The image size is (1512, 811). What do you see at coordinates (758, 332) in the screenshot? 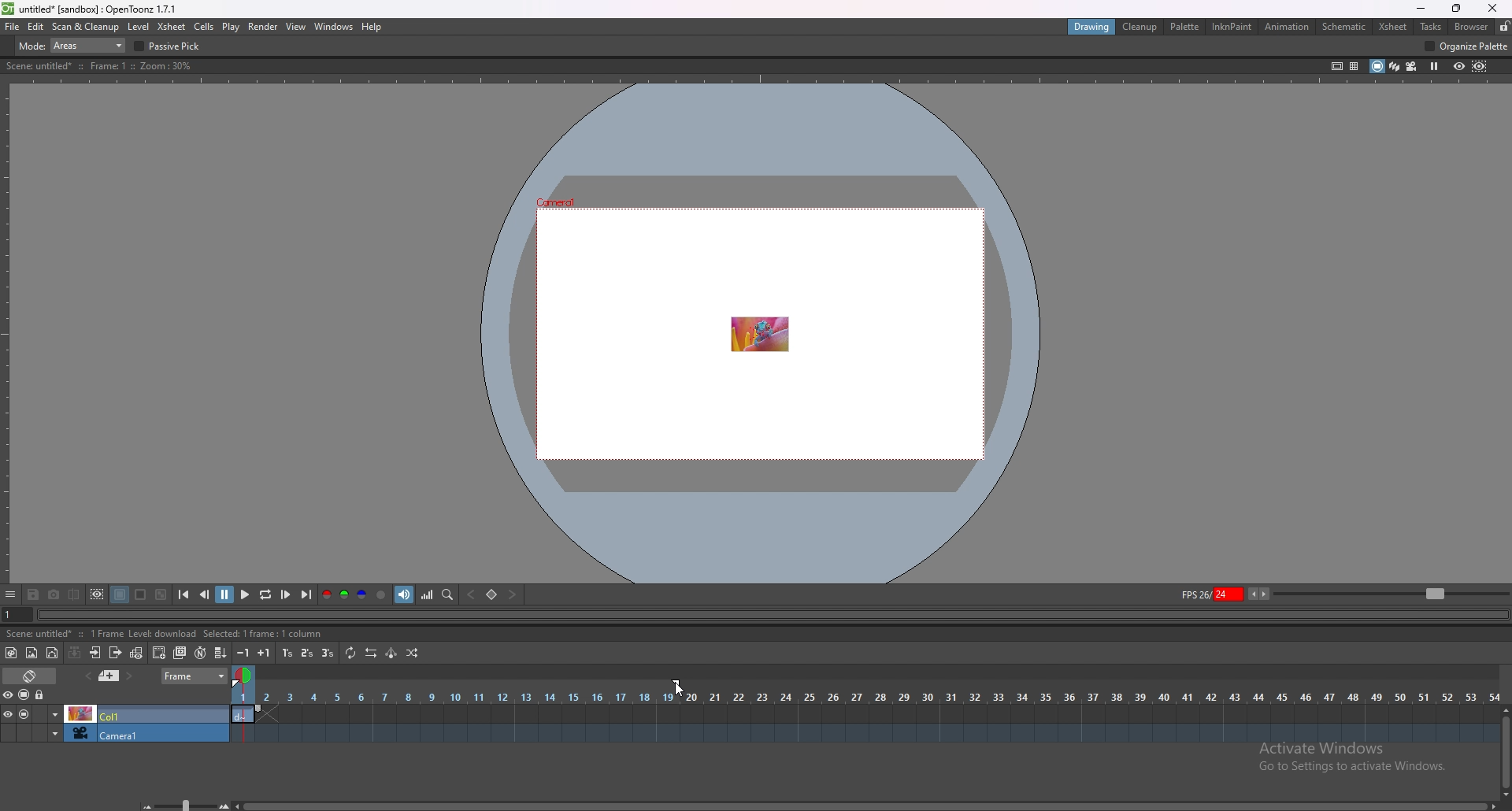
I see `animation area` at bounding box center [758, 332].